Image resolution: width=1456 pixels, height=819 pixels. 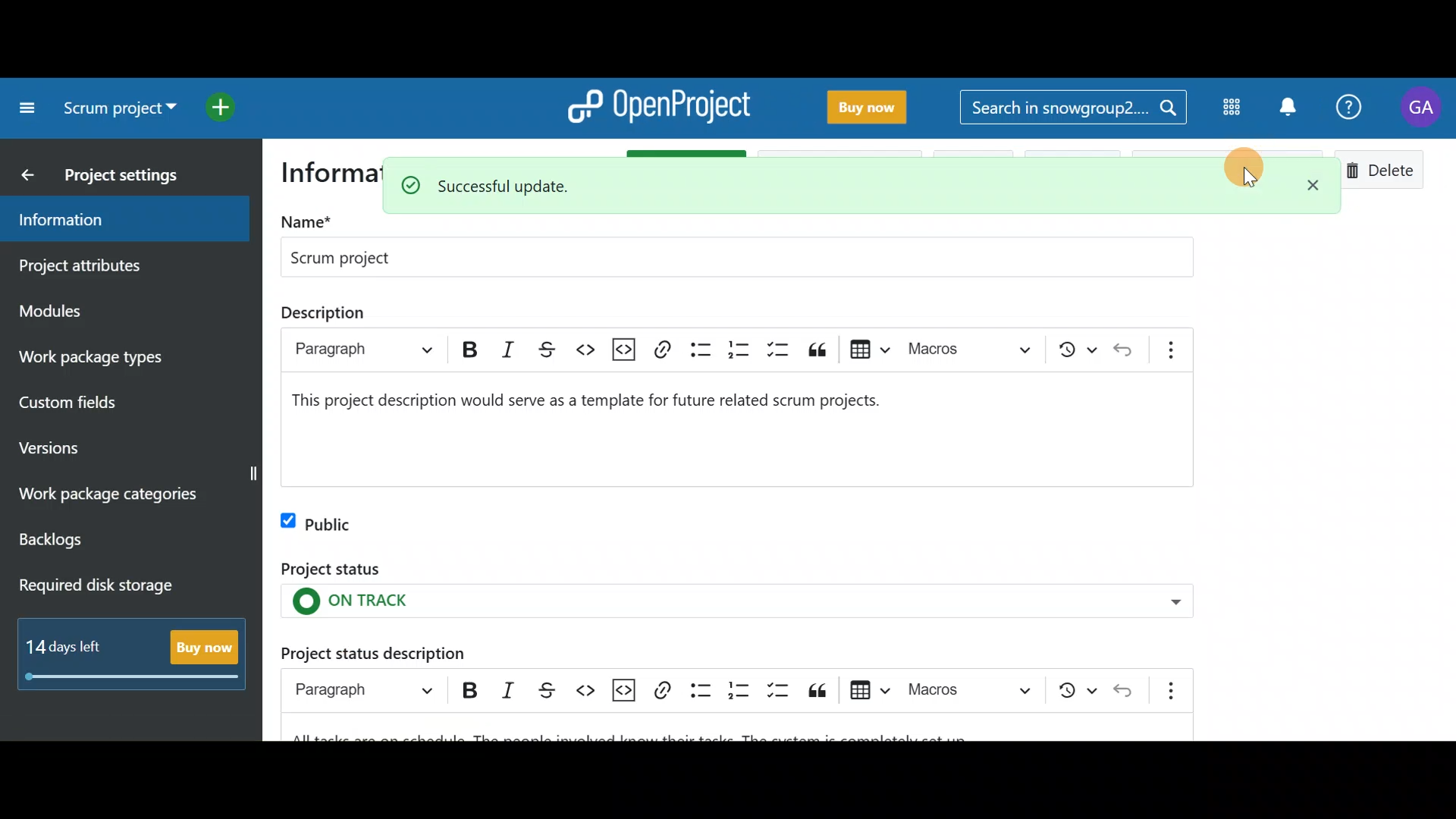 What do you see at coordinates (966, 692) in the screenshot?
I see `Choose macro` at bounding box center [966, 692].